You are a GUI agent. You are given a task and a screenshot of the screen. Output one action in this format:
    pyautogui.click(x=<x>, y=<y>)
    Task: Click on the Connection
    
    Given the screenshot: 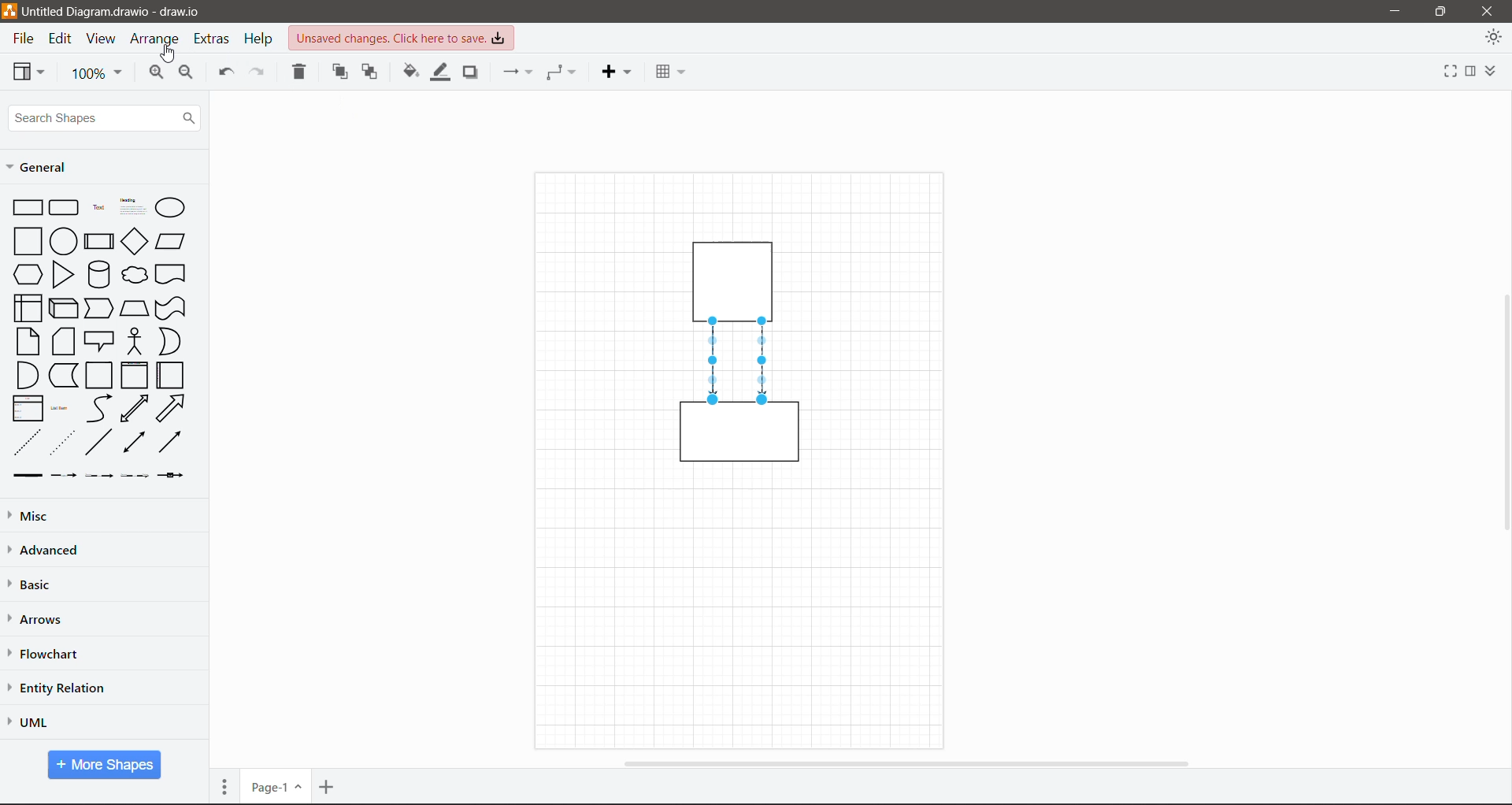 What is the action you would take?
    pyautogui.click(x=516, y=72)
    